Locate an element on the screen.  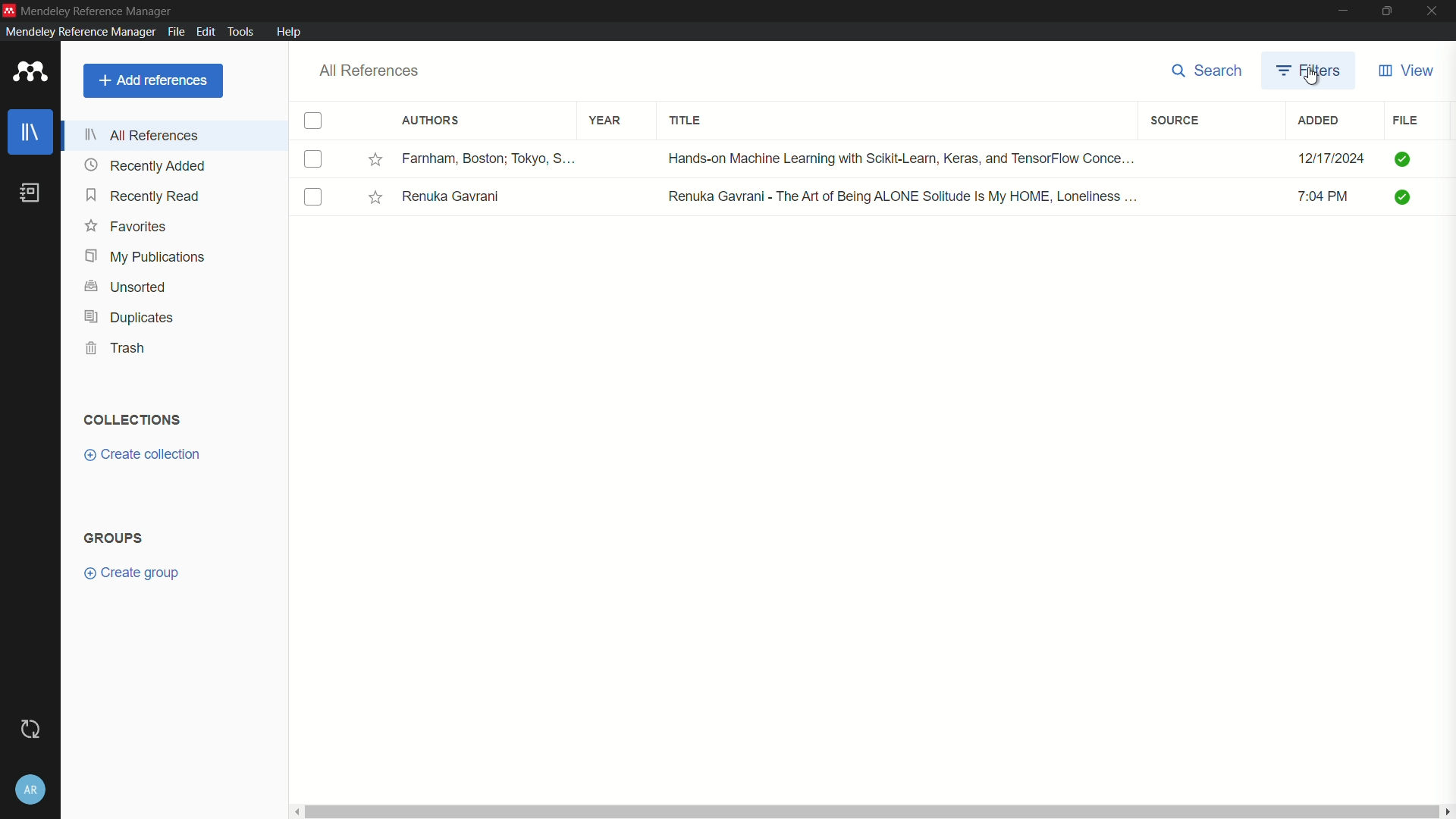
mendeley reference manager is located at coordinates (80, 31).